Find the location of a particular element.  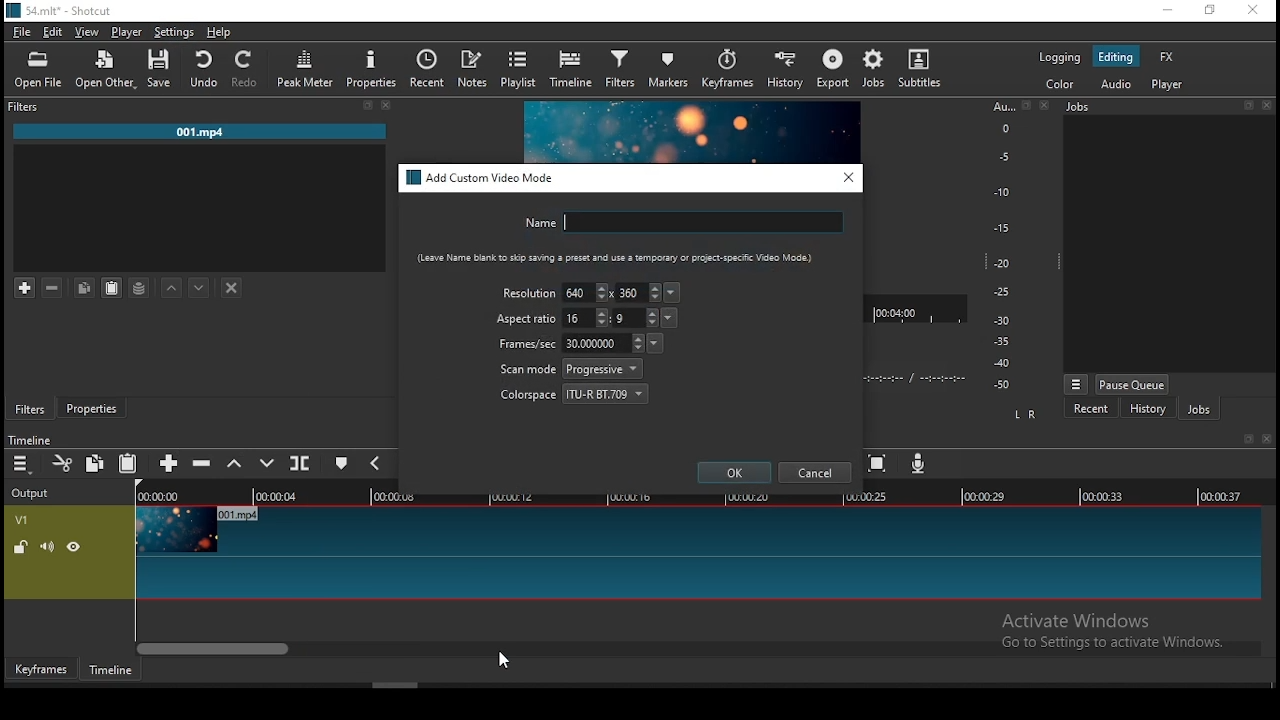

close is located at coordinates (387, 105).